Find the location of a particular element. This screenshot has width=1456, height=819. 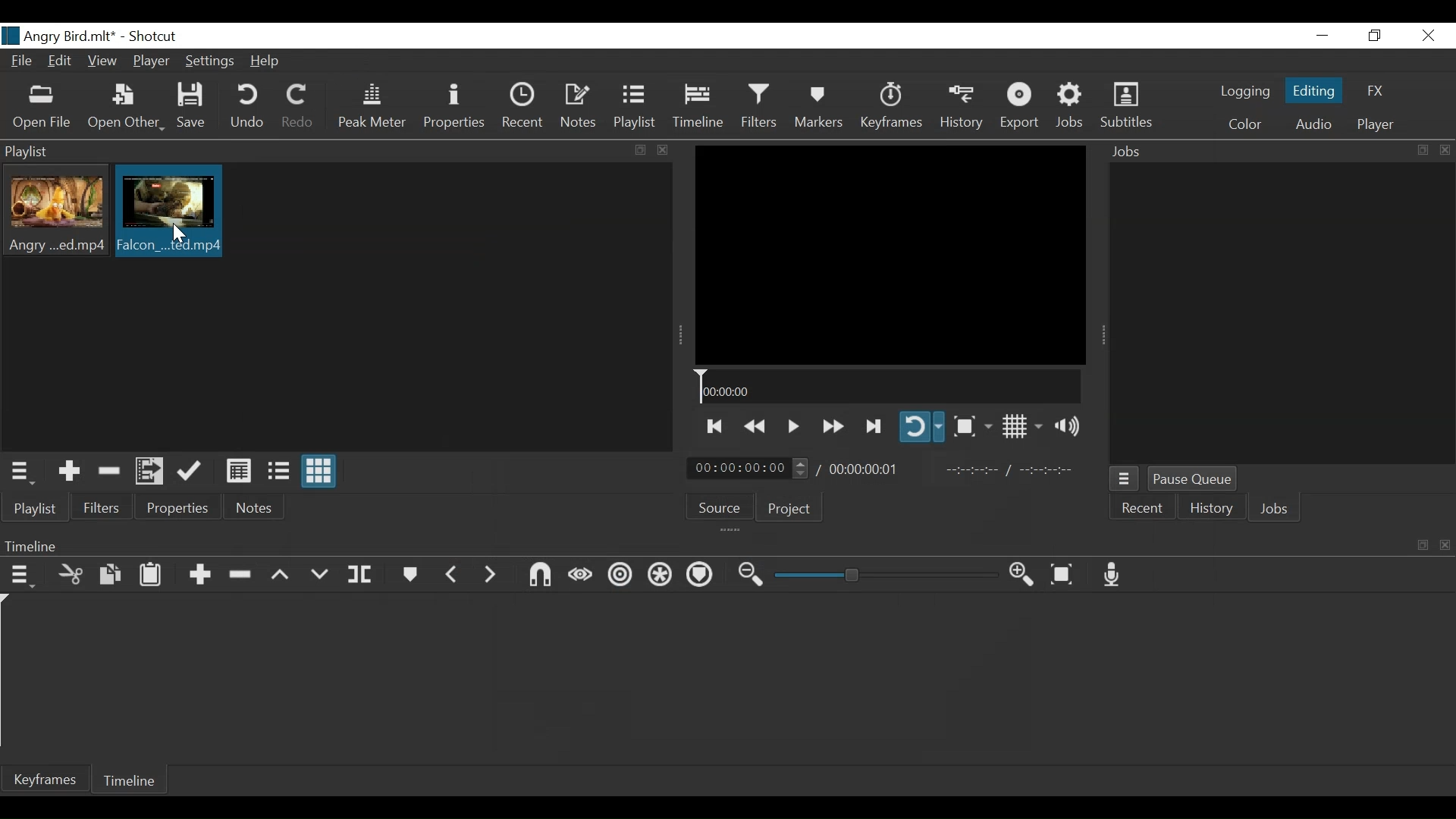

Save is located at coordinates (196, 106).